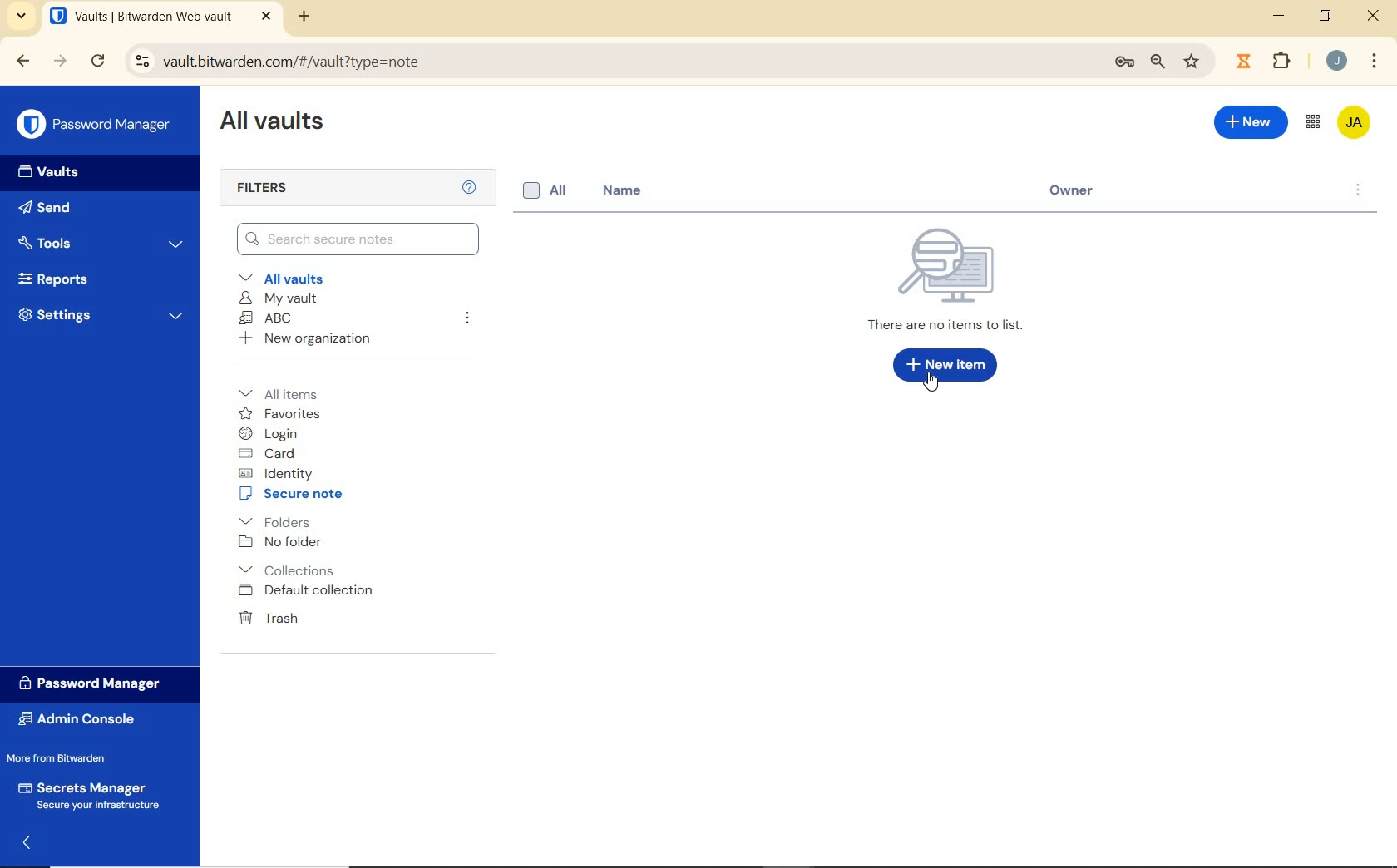 This screenshot has height=868, width=1397. I want to click on zoom, so click(1158, 63).